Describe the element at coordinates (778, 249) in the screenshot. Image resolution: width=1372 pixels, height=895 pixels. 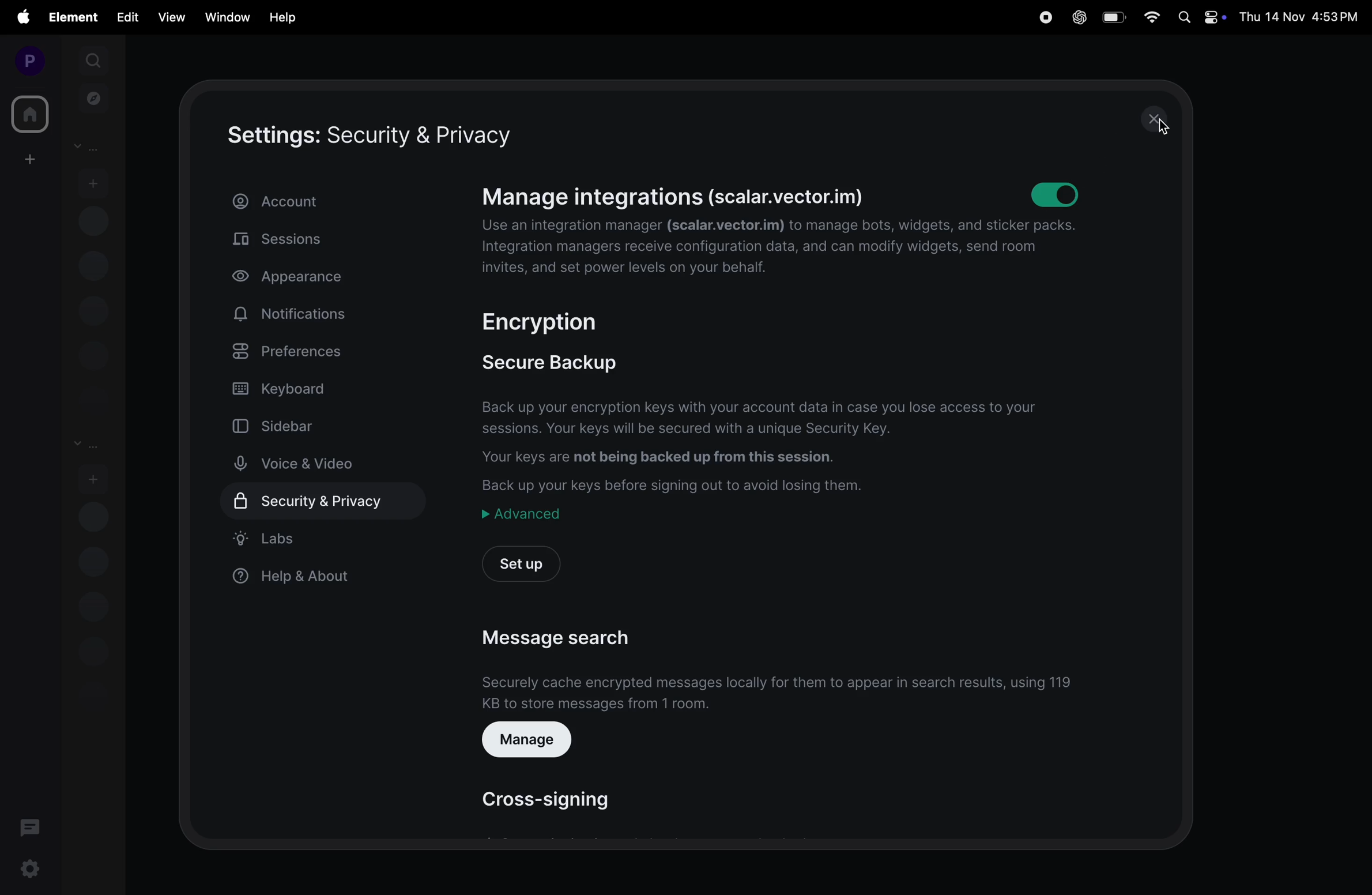
I see `Use an integration manager (scalar.vector.im) to manage bots, widgets, and sticker packs.
Integration managers receive configuration data, and can modify widgets, send room
invites, and set power levels on your behalf.` at that location.